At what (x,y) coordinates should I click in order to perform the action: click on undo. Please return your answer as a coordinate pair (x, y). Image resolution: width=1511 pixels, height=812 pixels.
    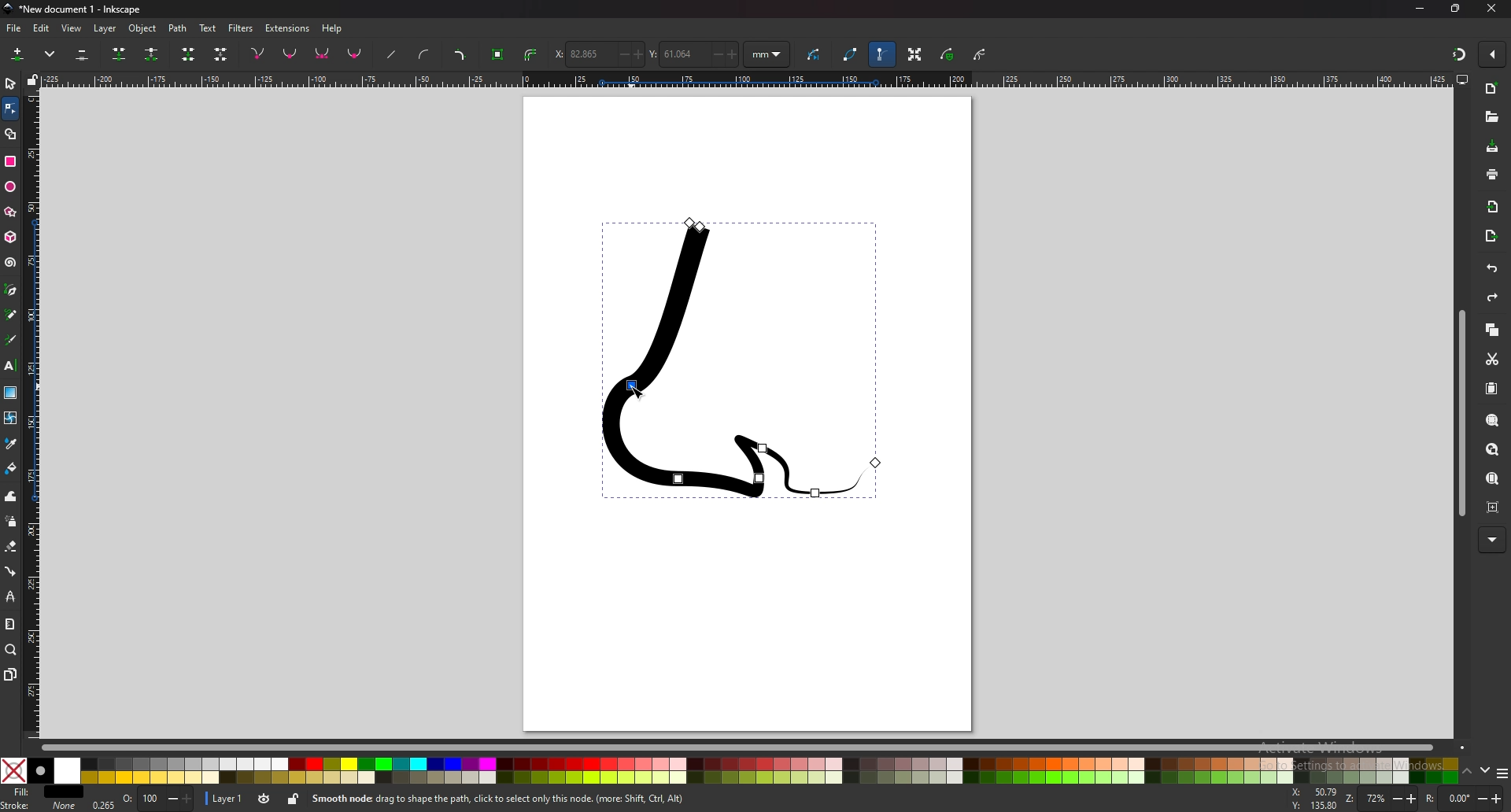
    Looking at the image, I should click on (1489, 269).